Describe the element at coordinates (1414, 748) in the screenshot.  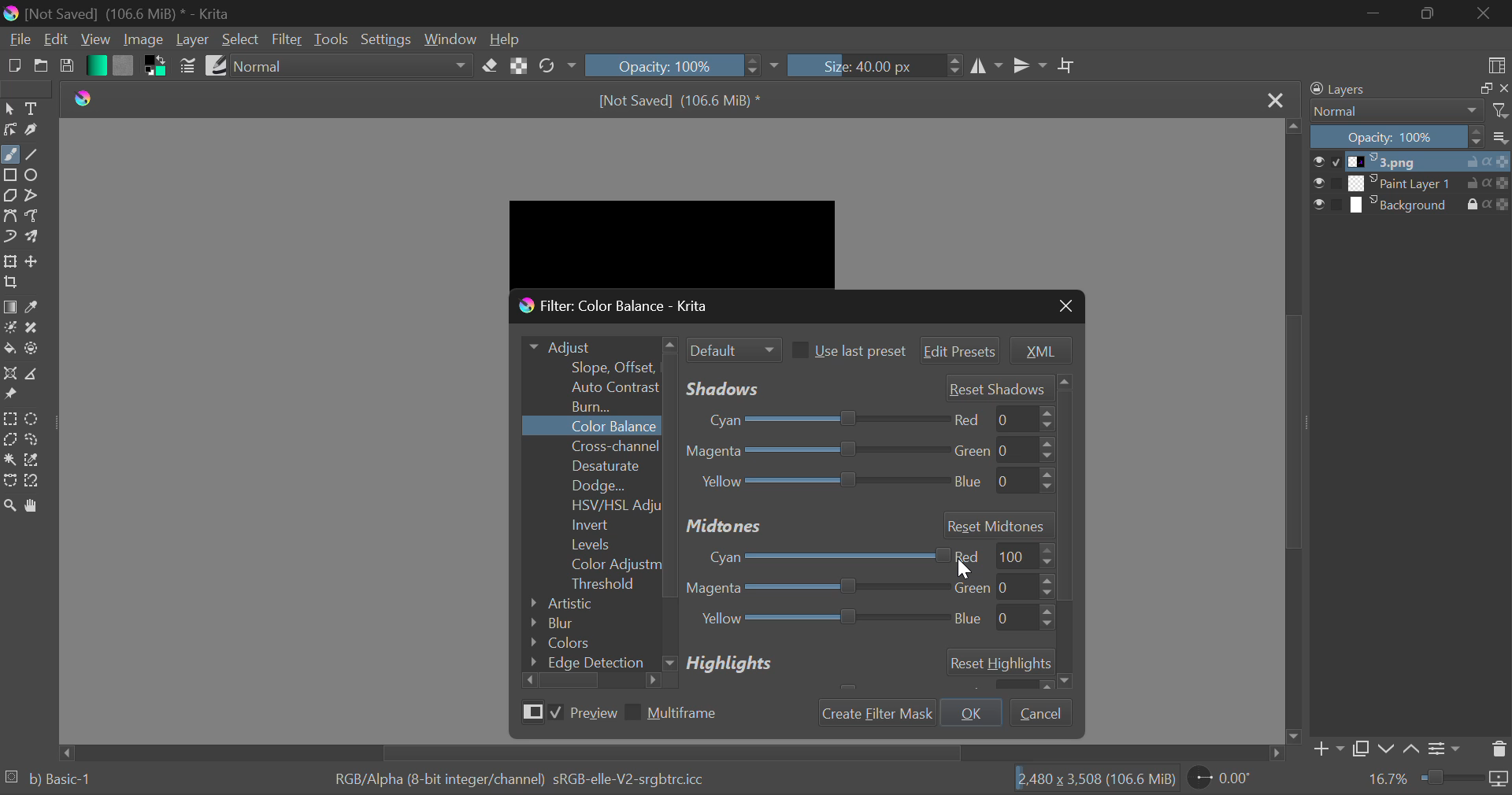
I see `Move Layer Up` at that location.